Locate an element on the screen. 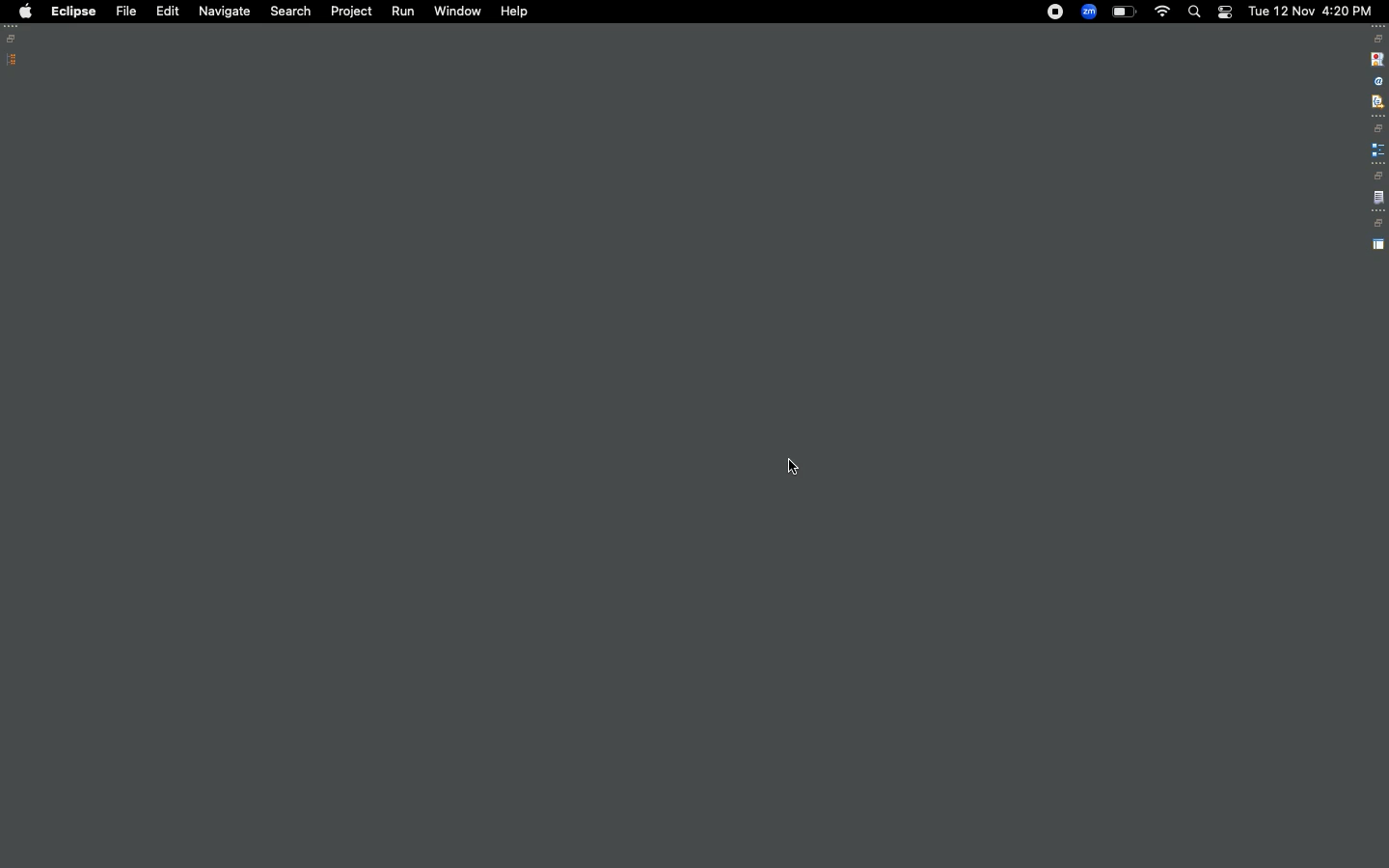 This screenshot has width=1389, height=868. help is located at coordinates (514, 12).